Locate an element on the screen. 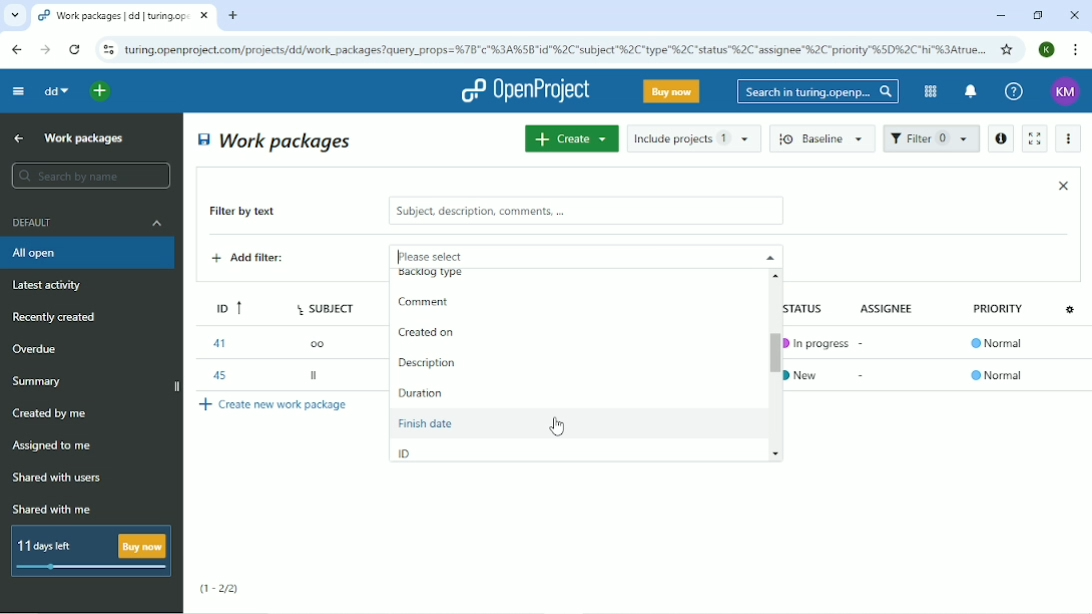 This screenshot has width=1092, height=614. Modules is located at coordinates (928, 91).